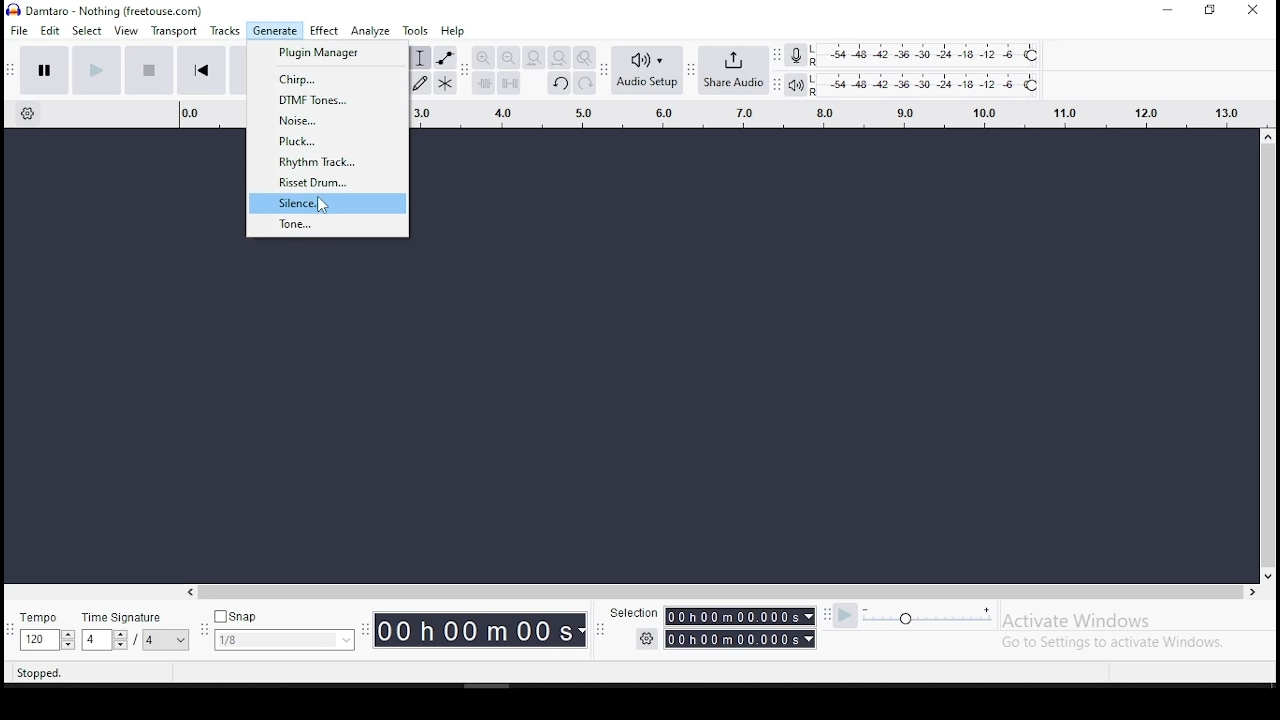 The image size is (1280, 720). What do you see at coordinates (453, 31) in the screenshot?
I see `help` at bounding box center [453, 31].